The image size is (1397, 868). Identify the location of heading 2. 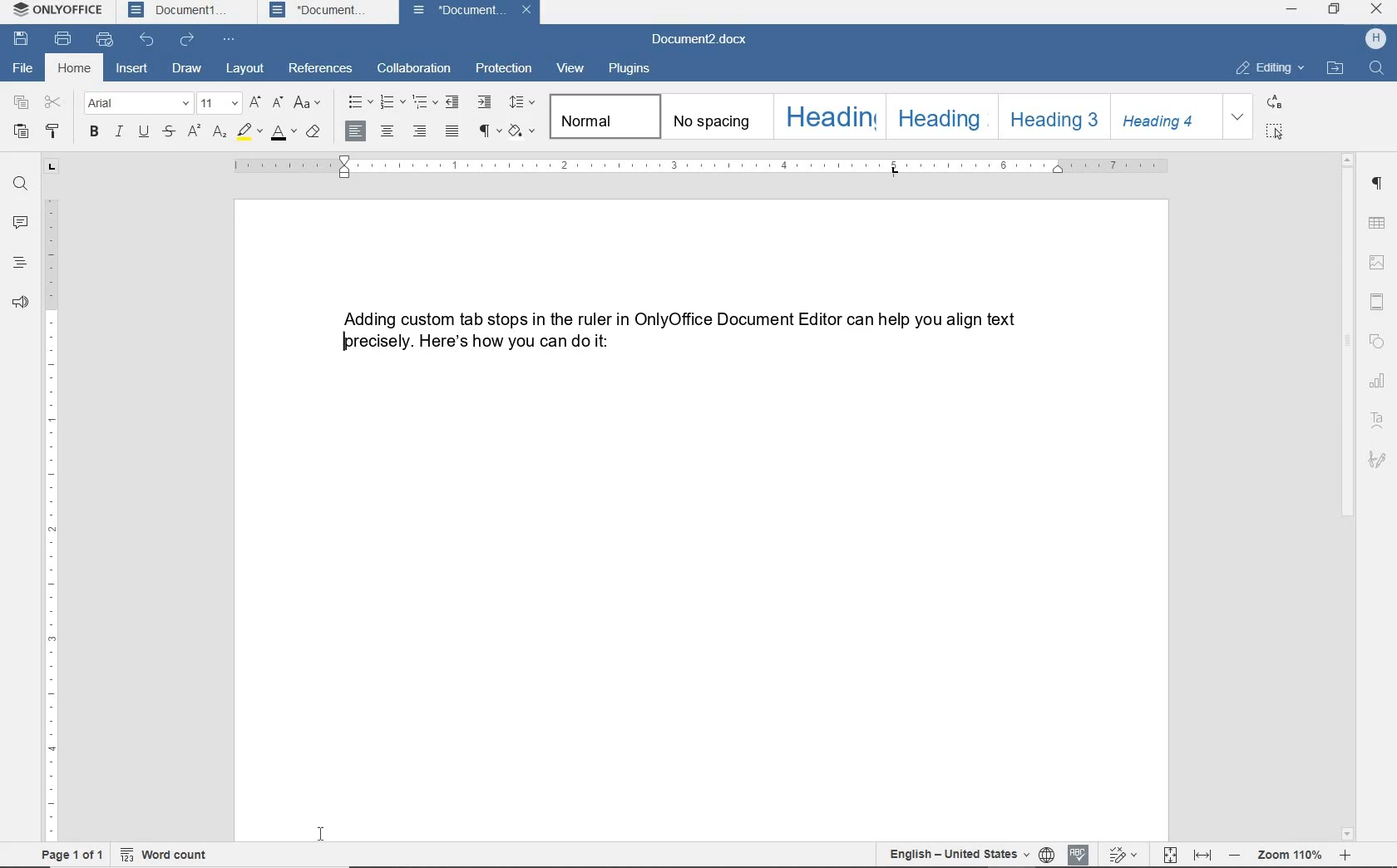
(940, 117).